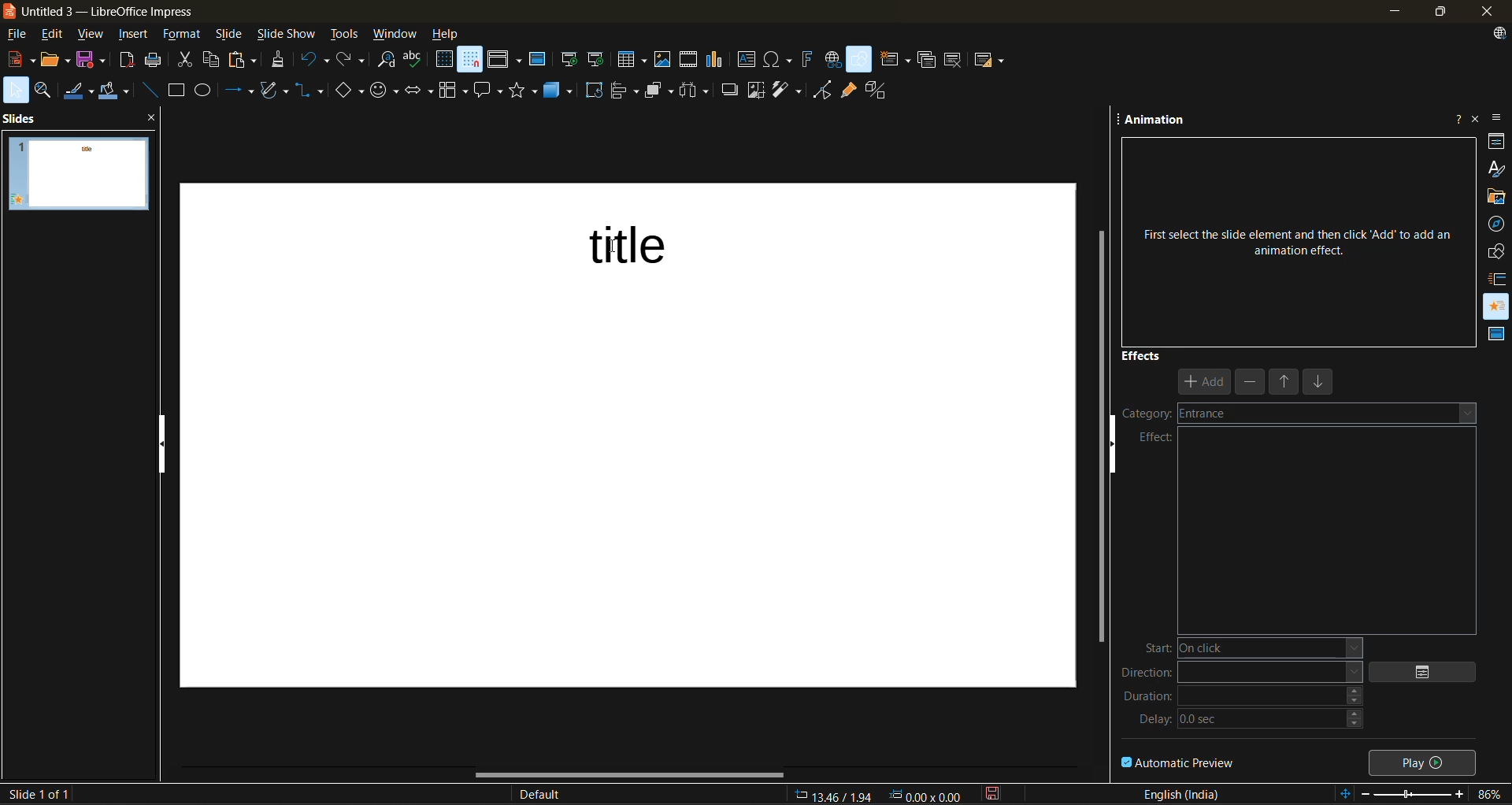  I want to click on slide, so click(231, 36).